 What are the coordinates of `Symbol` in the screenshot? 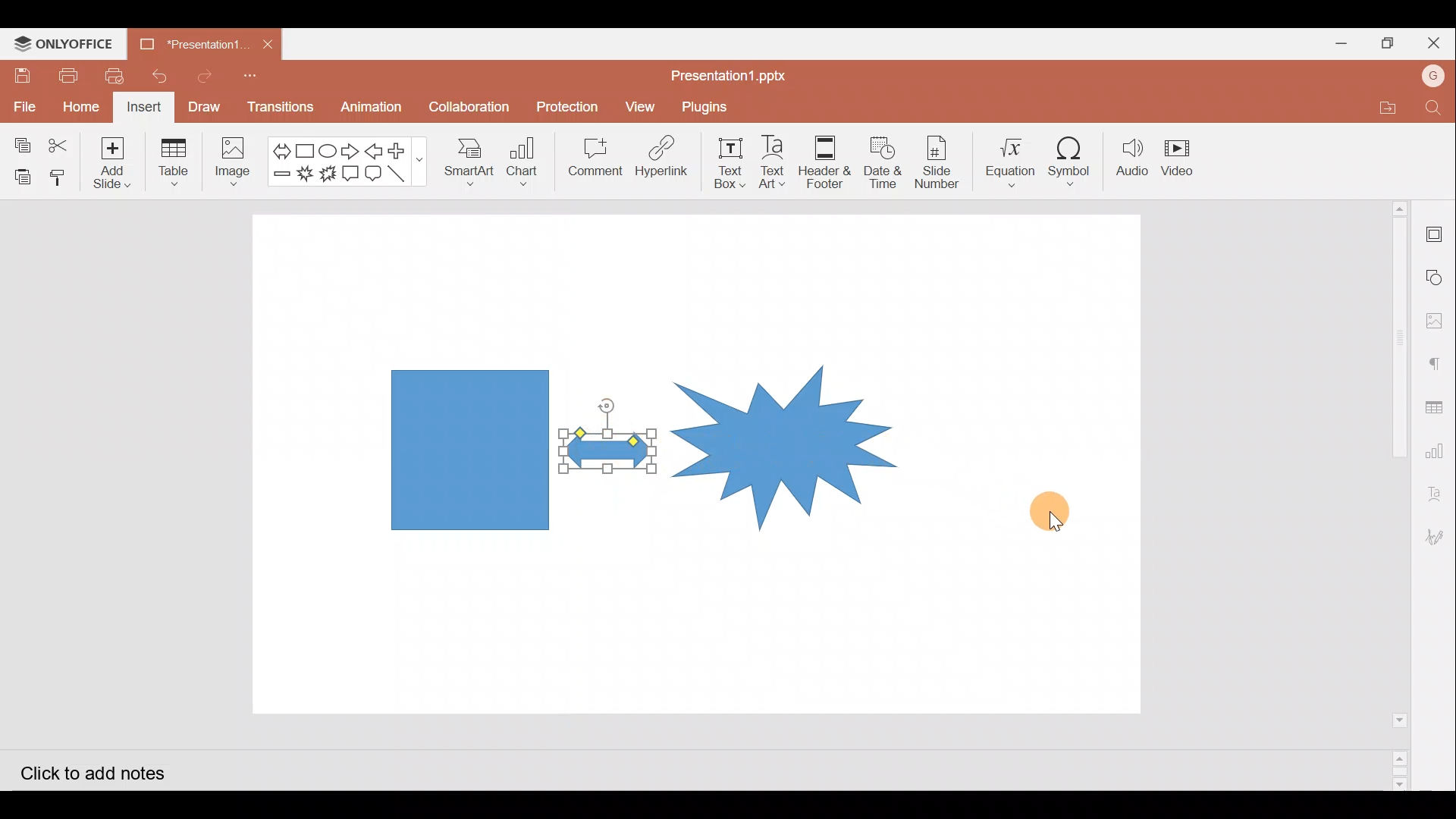 It's located at (1075, 161).